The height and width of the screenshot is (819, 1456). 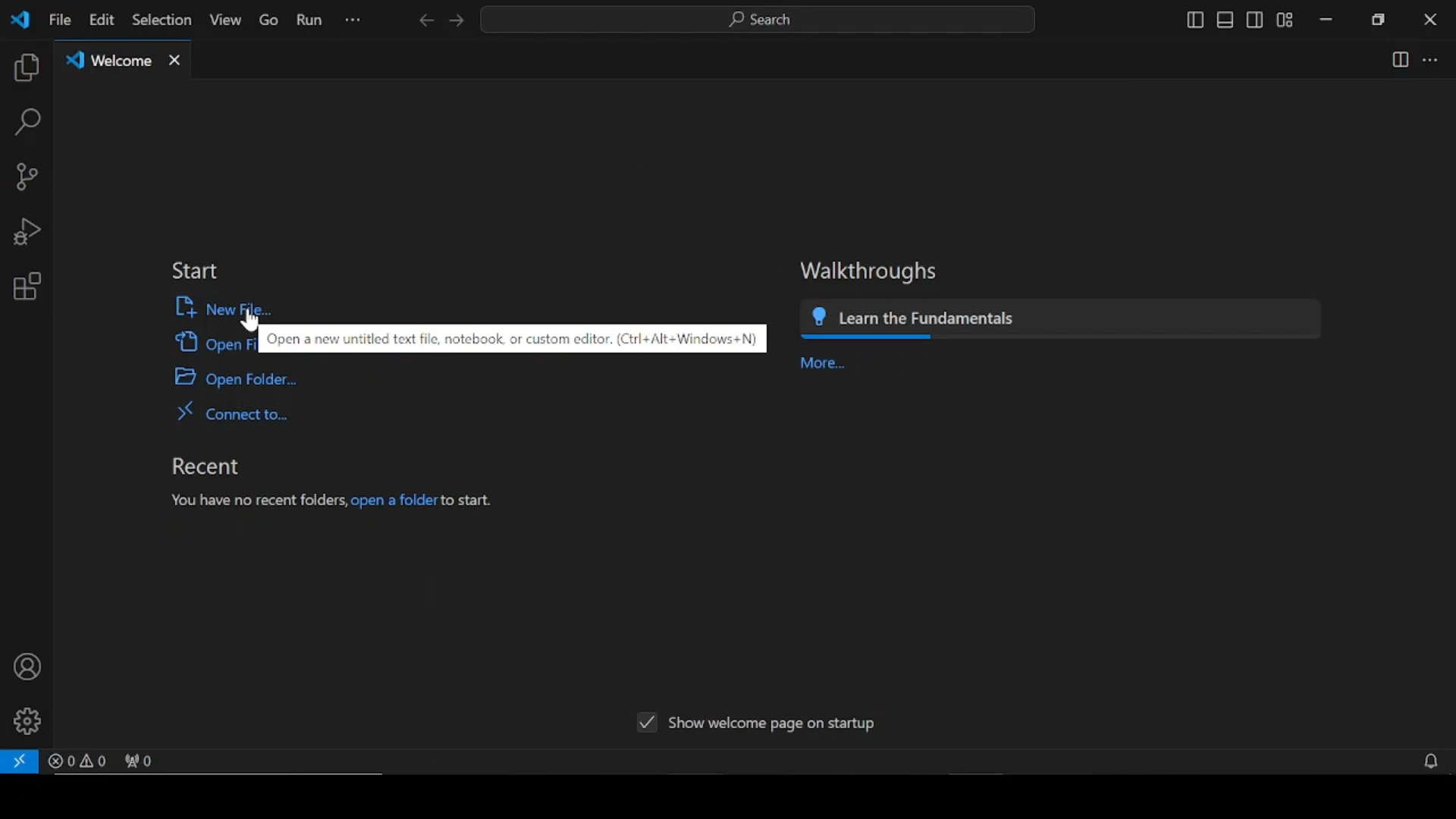 What do you see at coordinates (332, 502) in the screenshot?
I see `you have no recent folders, open a folder start` at bounding box center [332, 502].